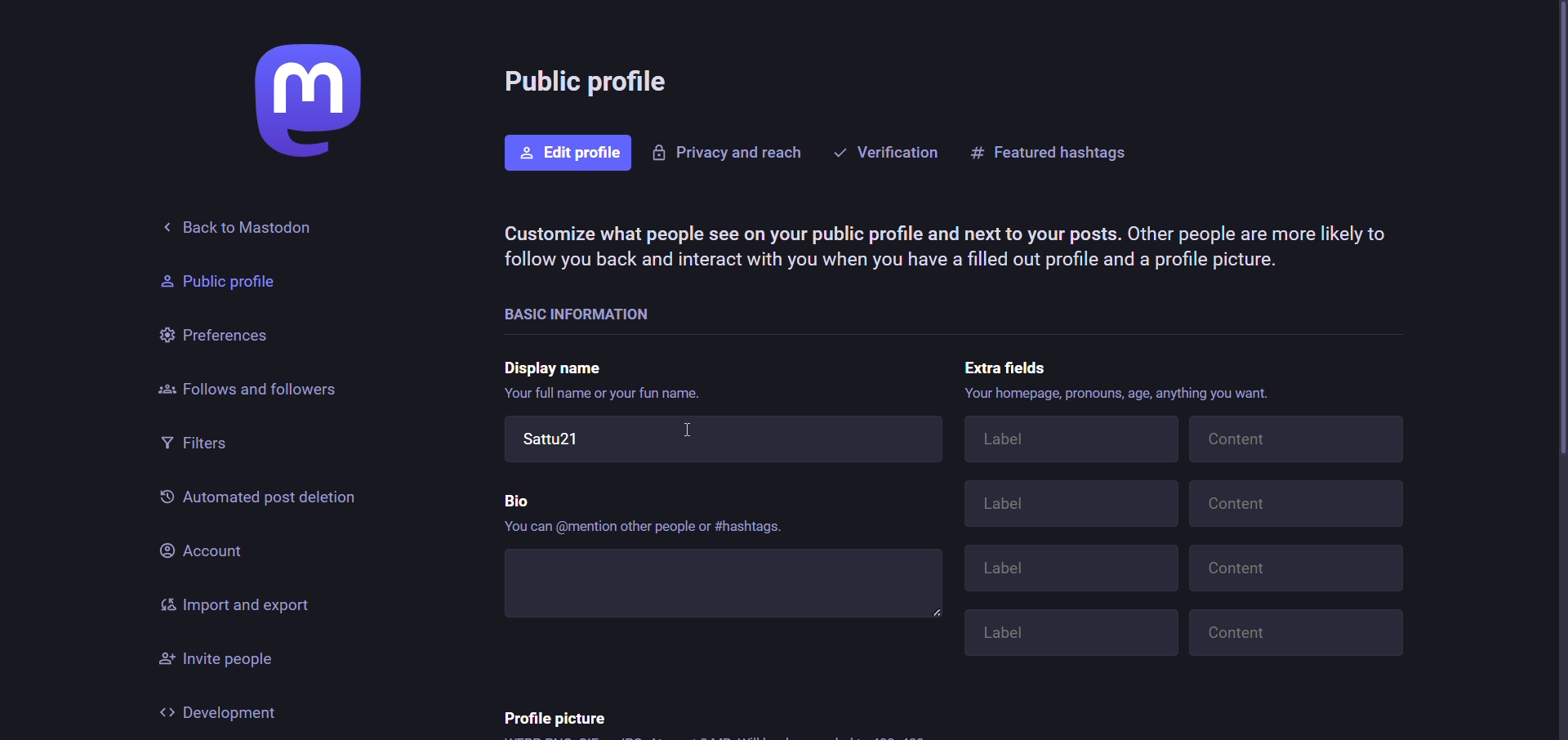 The width and height of the screenshot is (1568, 740). What do you see at coordinates (236, 606) in the screenshot?
I see `import and export` at bounding box center [236, 606].